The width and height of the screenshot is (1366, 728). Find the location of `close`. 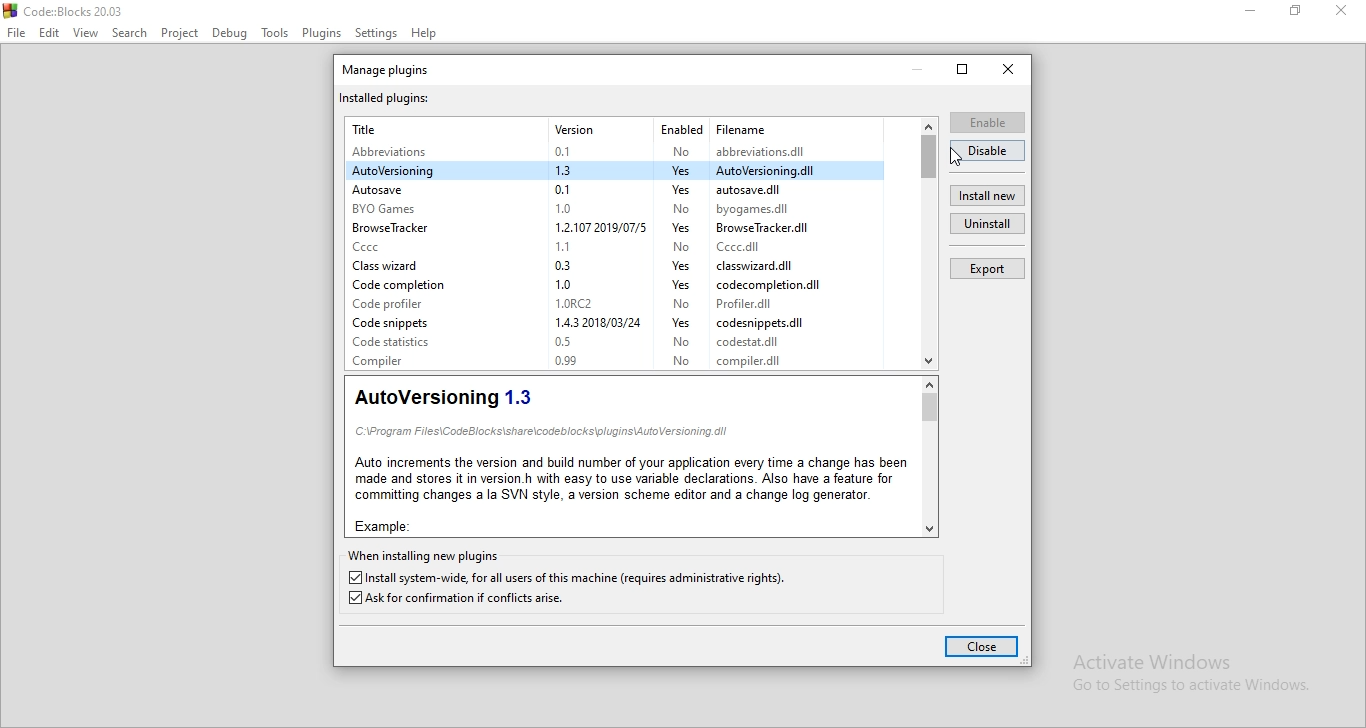

close is located at coordinates (980, 646).